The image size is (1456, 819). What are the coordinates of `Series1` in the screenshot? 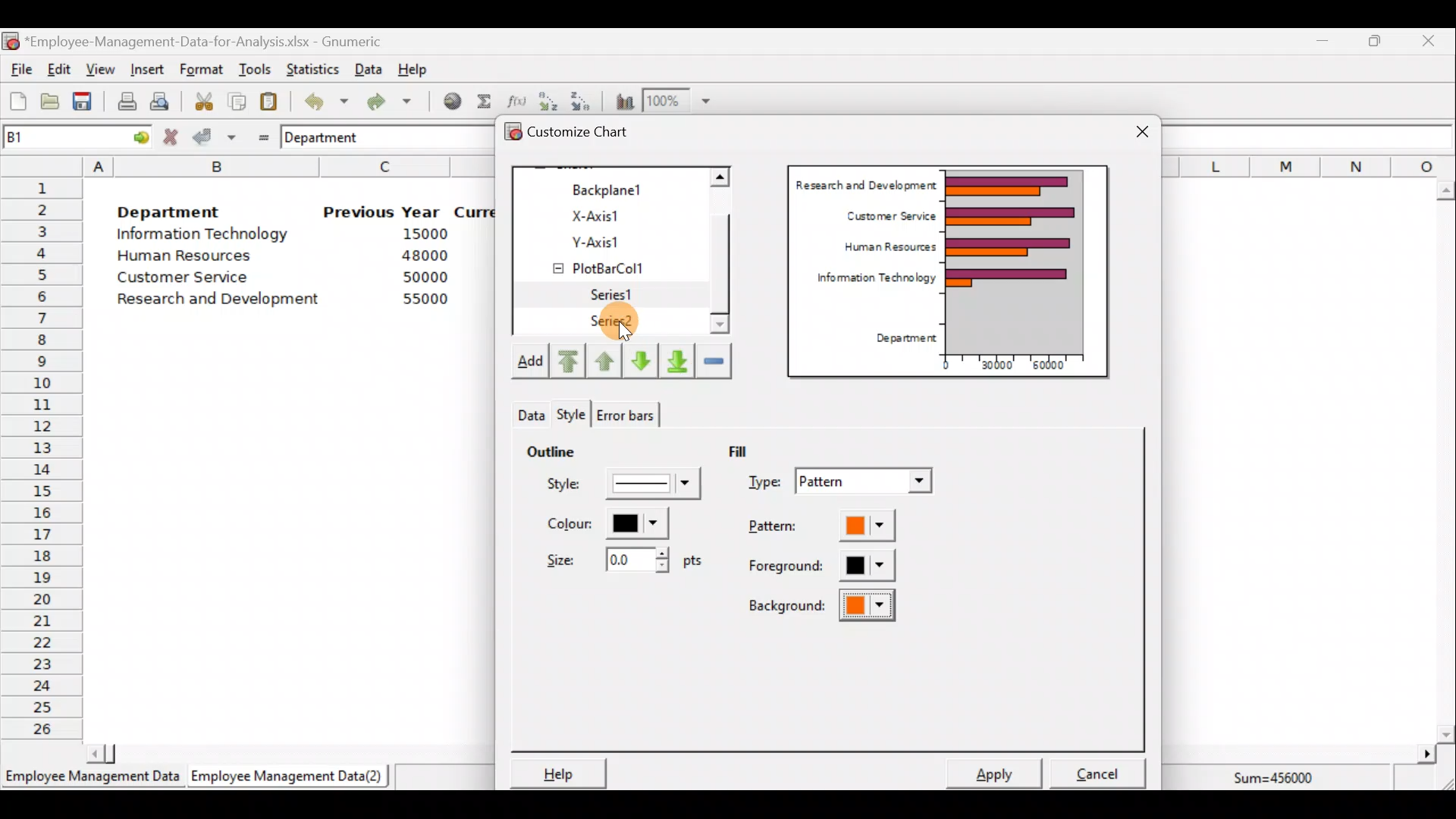 It's located at (620, 295).